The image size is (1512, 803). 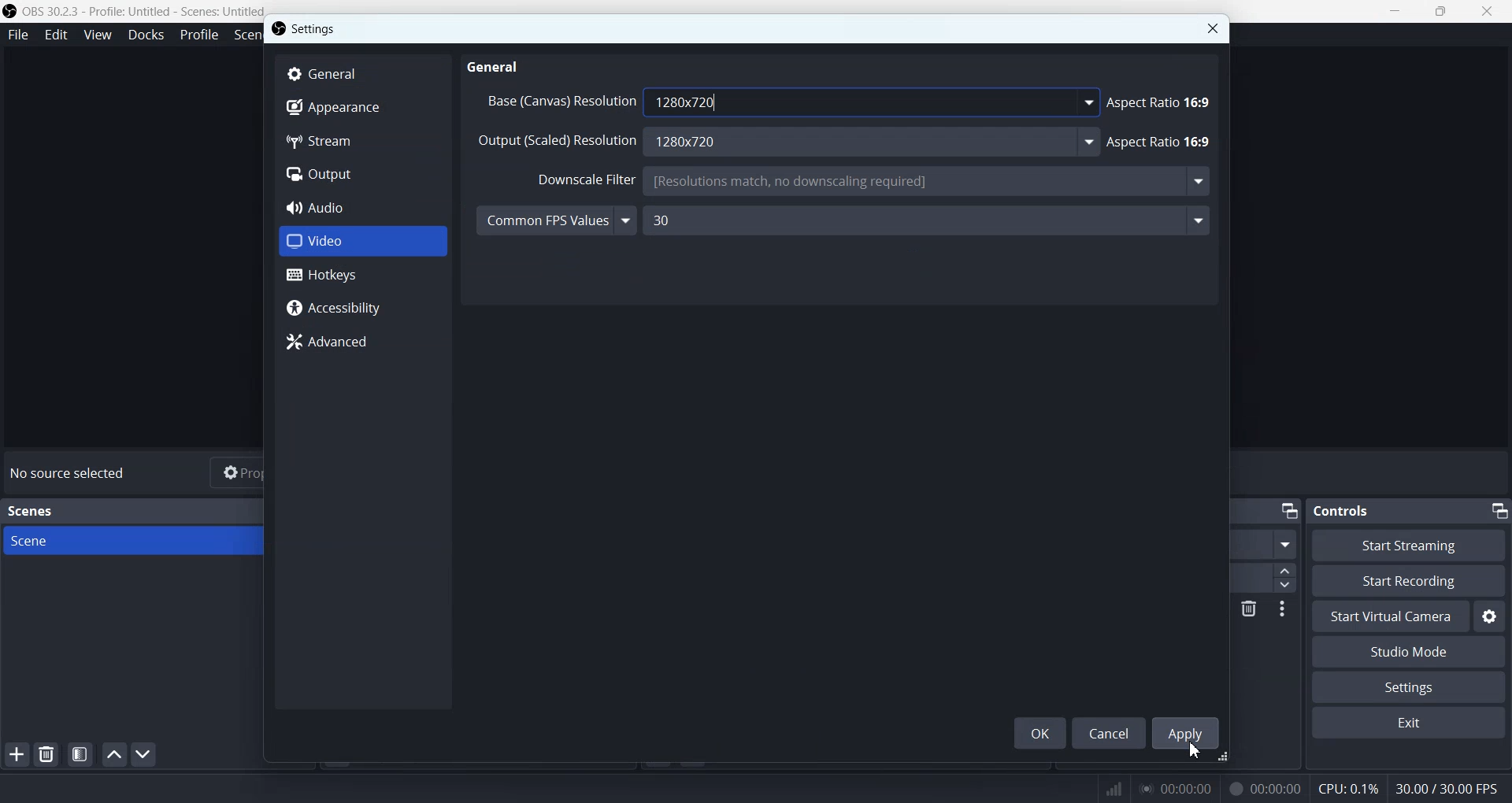 What do you see at coordinates (361, 242) in the screenshot?
I see `Video` at bounding box center [361, 242].